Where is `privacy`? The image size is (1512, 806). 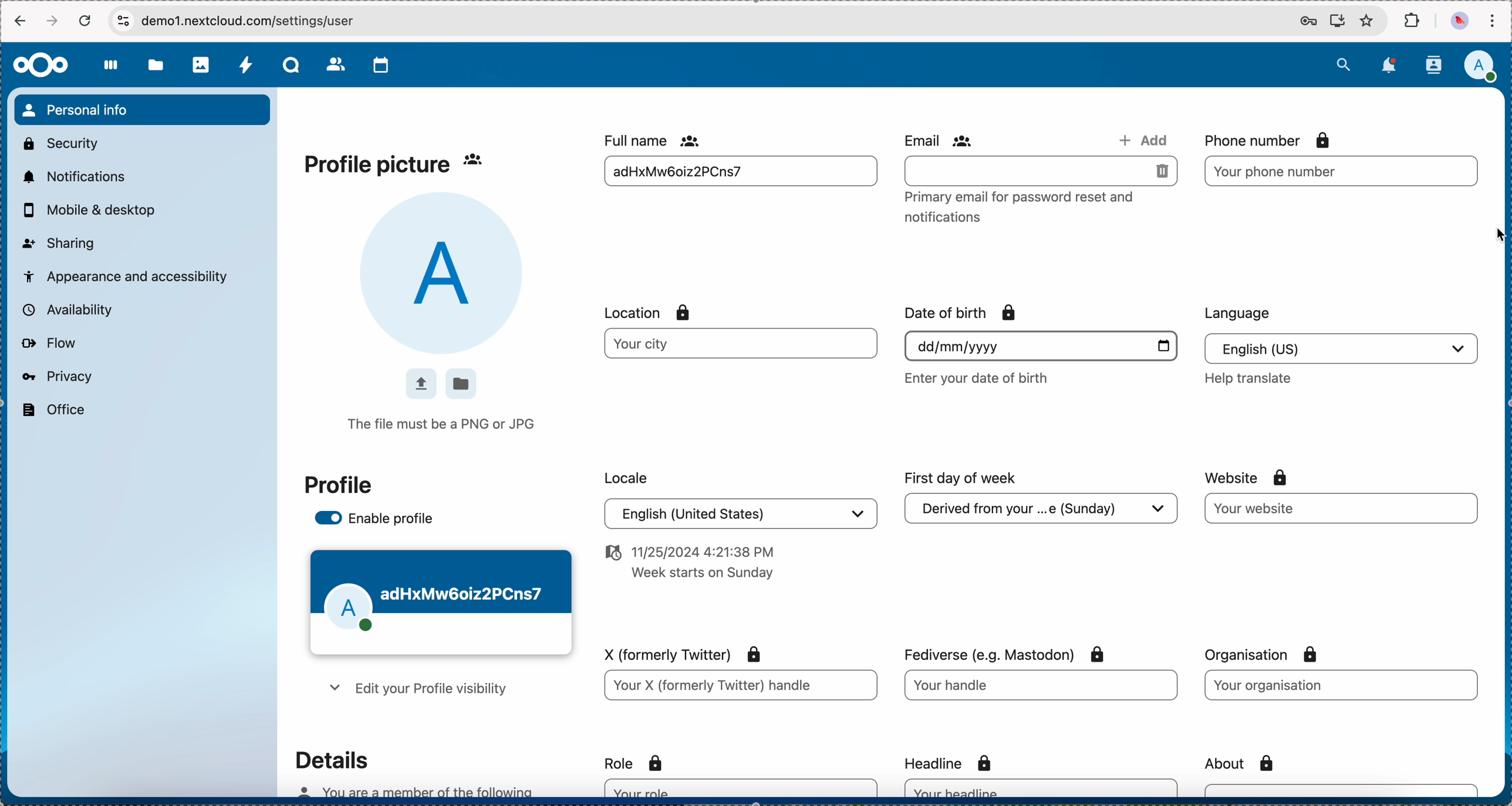
privacy is located at coordinates (56, 376).